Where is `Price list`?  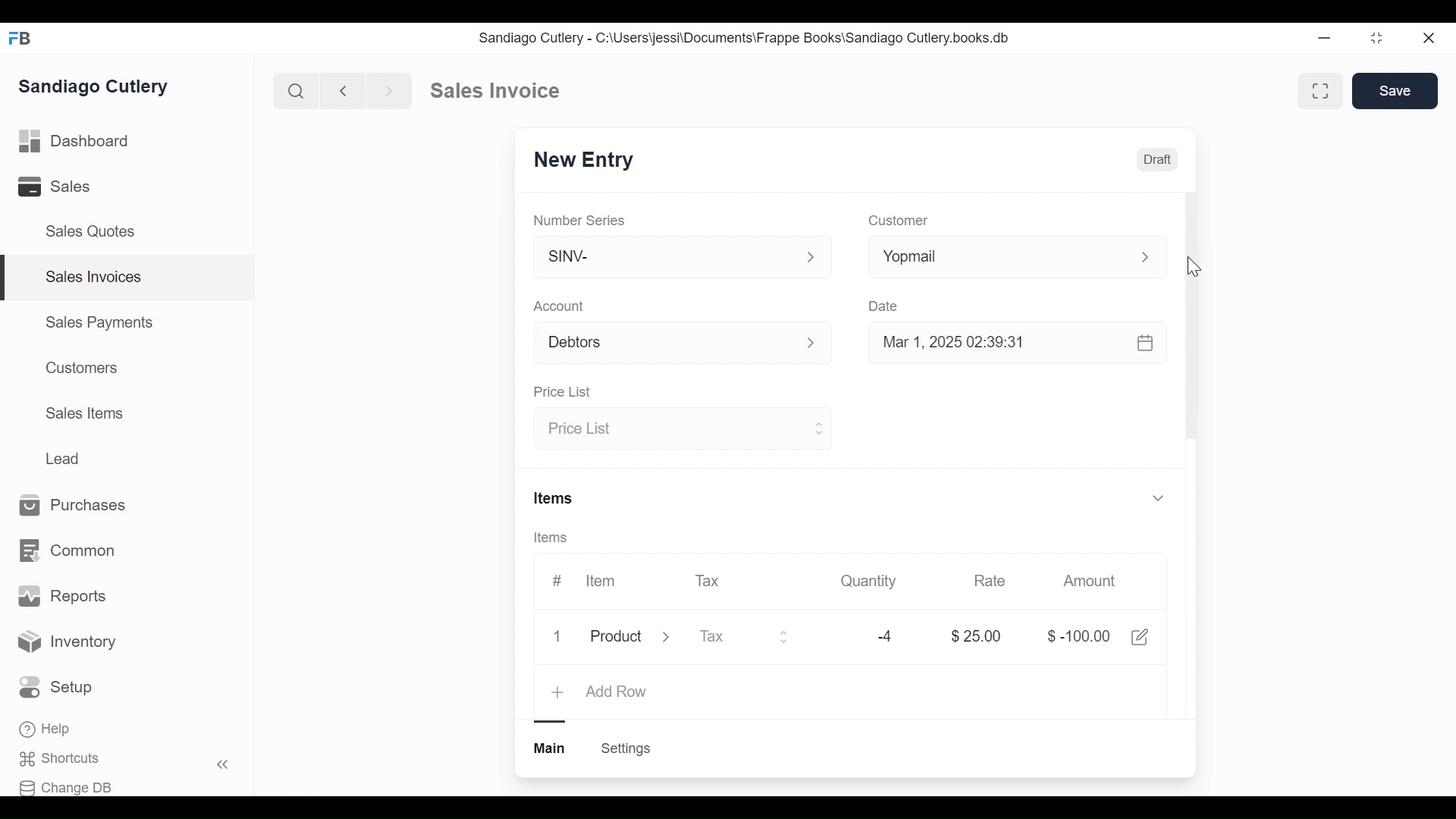 Price list is located at coordinates (563, 391).